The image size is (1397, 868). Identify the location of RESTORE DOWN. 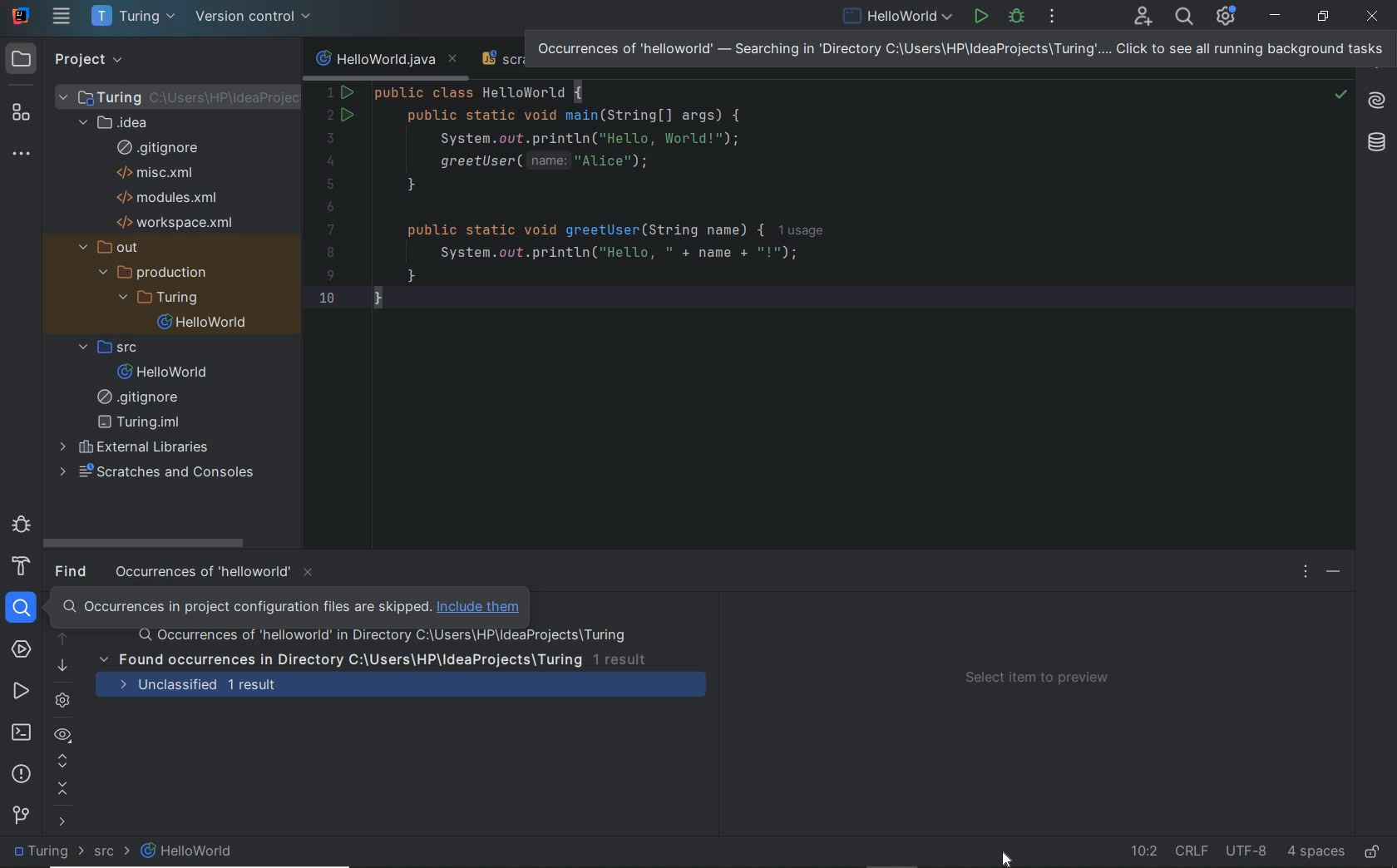
(1324, 16).